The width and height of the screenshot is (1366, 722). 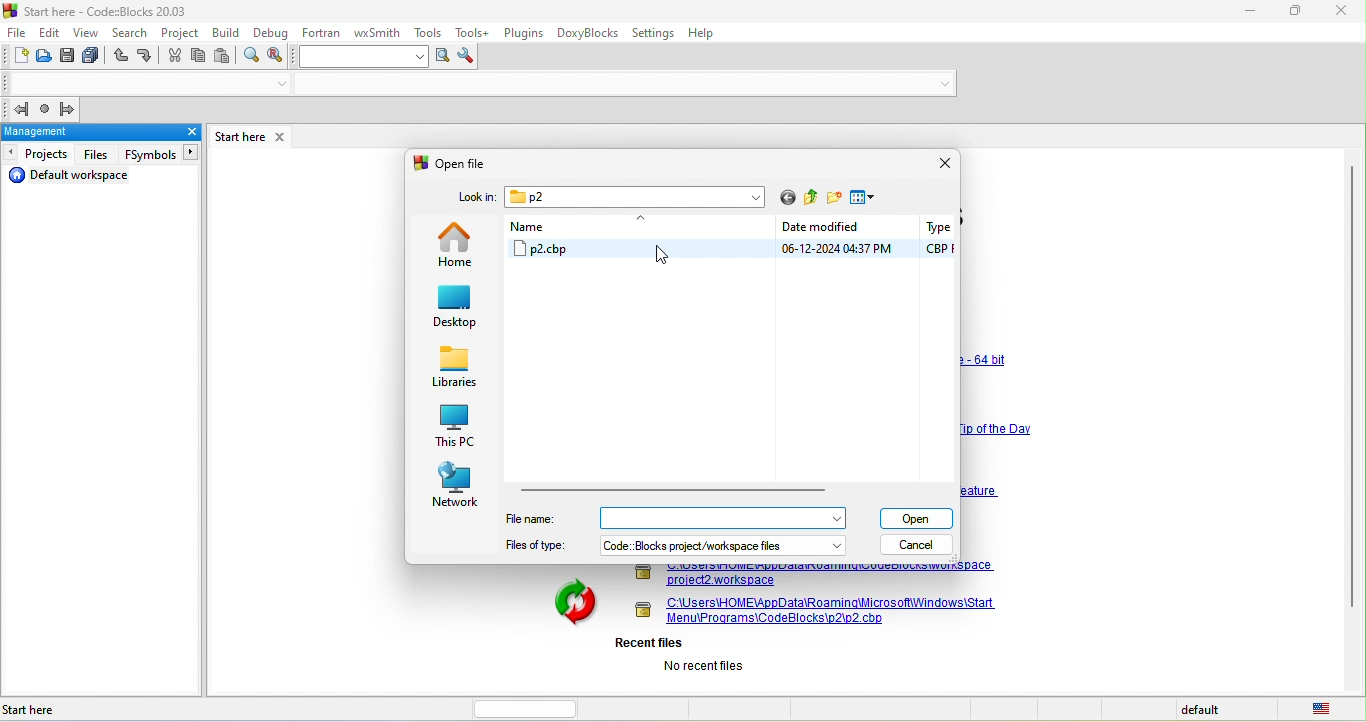 I want to click on title, so click(x=98, y=11).